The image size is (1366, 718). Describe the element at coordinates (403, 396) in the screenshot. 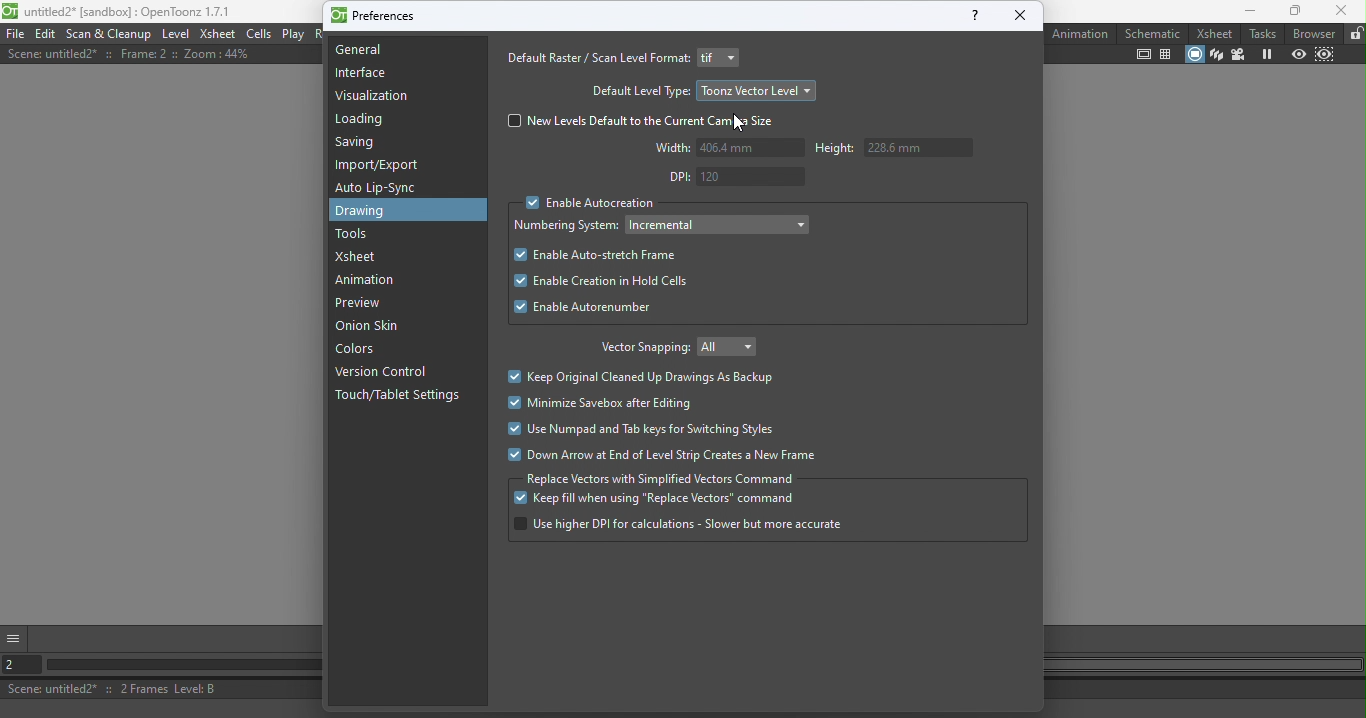

I see `Touch/tablet settings` at that location.